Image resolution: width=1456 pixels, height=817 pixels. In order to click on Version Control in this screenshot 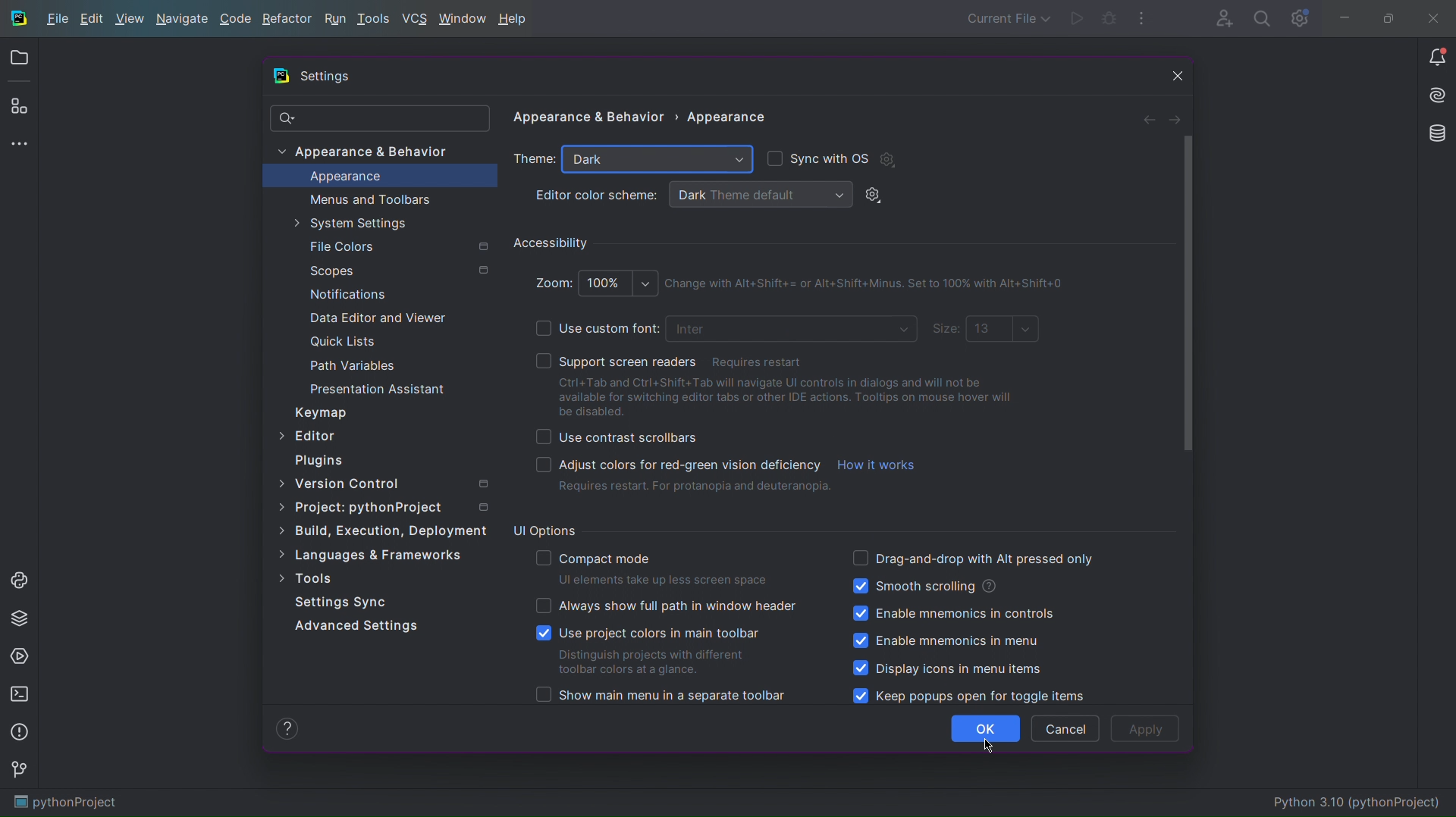, I will do `click(19, 771)`.